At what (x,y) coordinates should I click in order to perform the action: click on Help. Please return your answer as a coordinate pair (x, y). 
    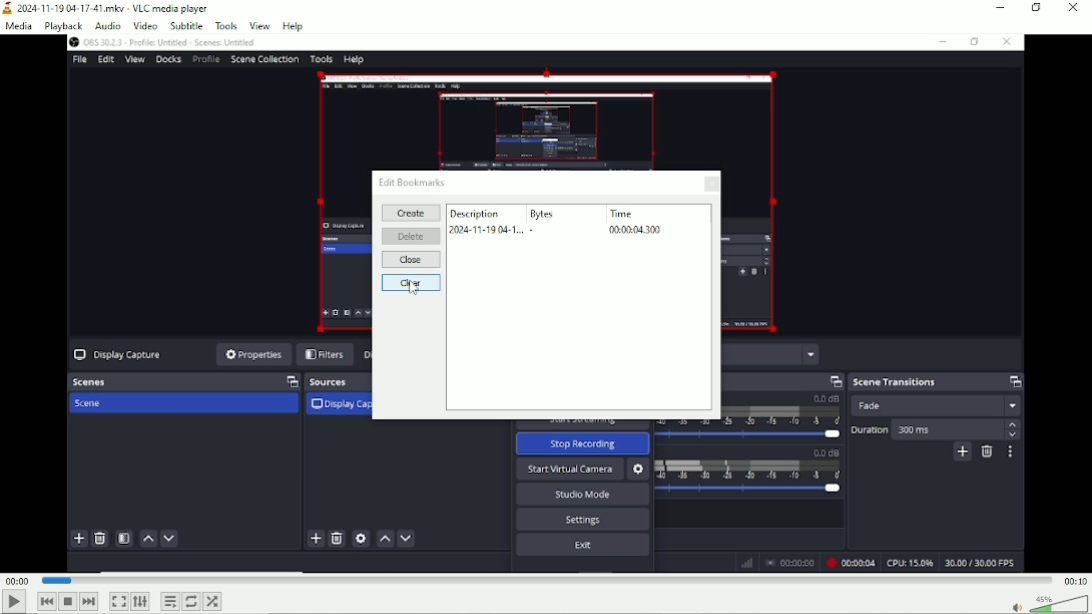
    Looking at the image, I should click on (293, 26).